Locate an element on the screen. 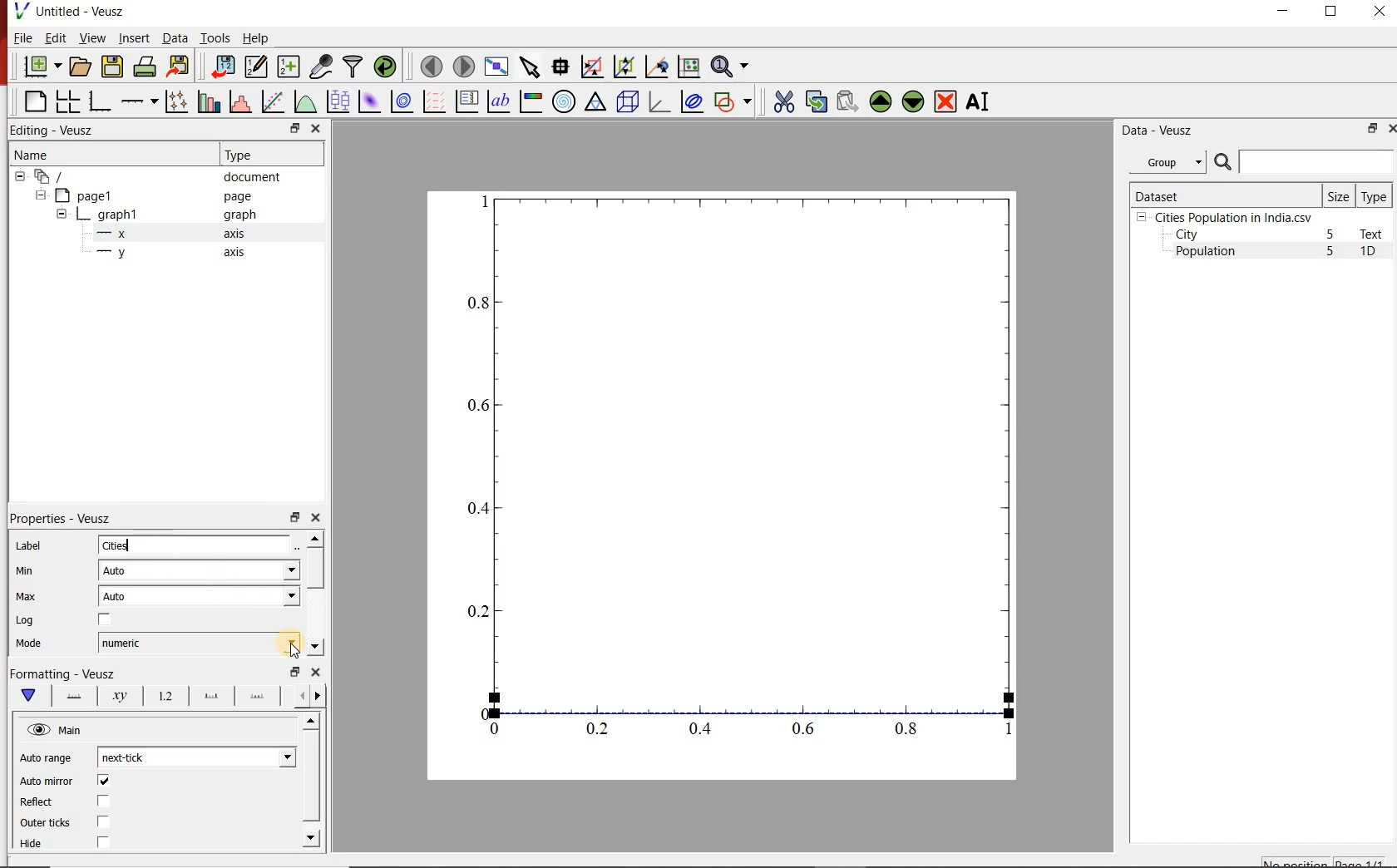 This screenshot has width=1397, height=868. document is located at coordinates (153, 175).